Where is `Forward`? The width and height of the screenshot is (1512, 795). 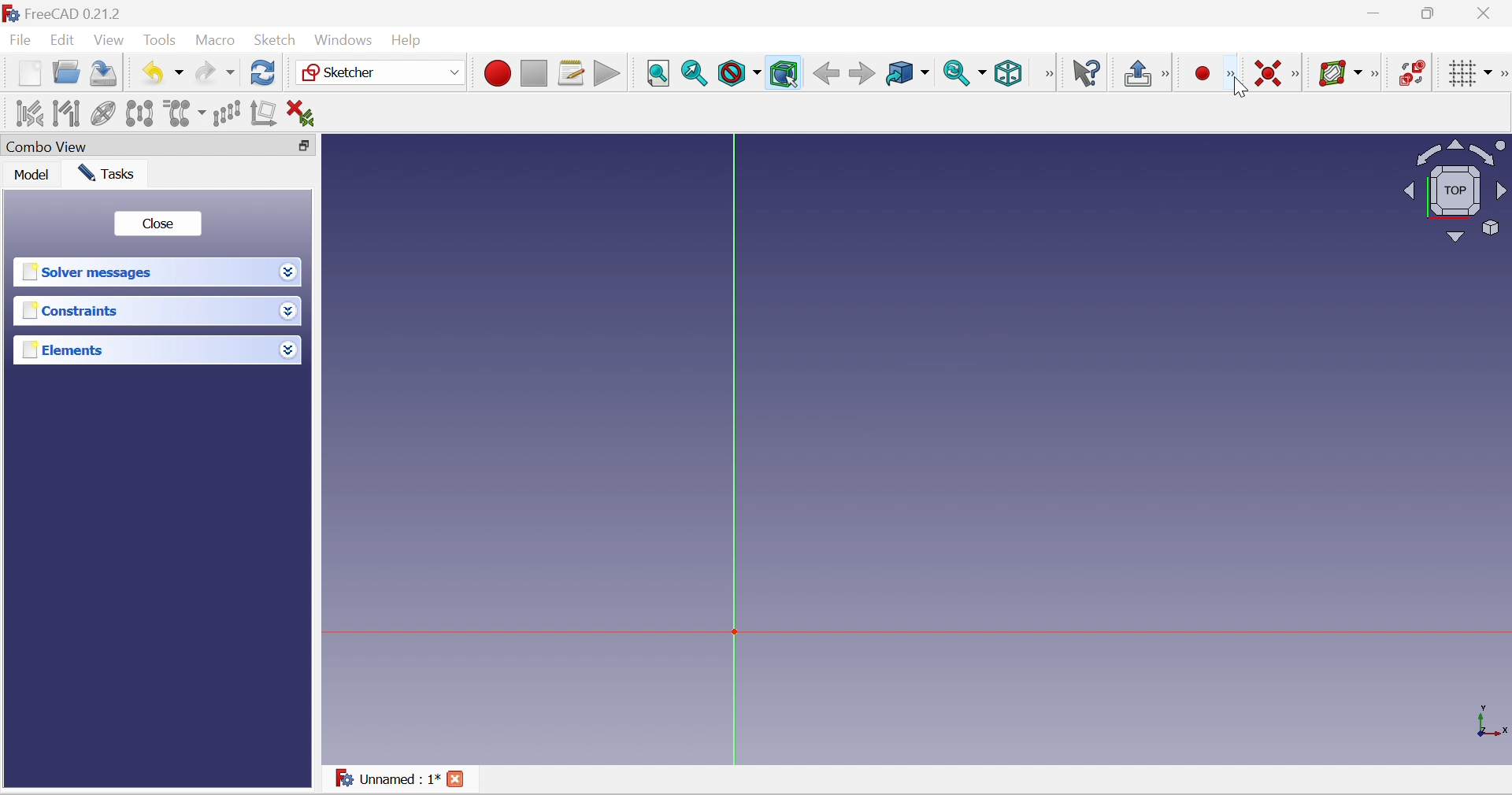 Forward is located at coordinates (862, 74).